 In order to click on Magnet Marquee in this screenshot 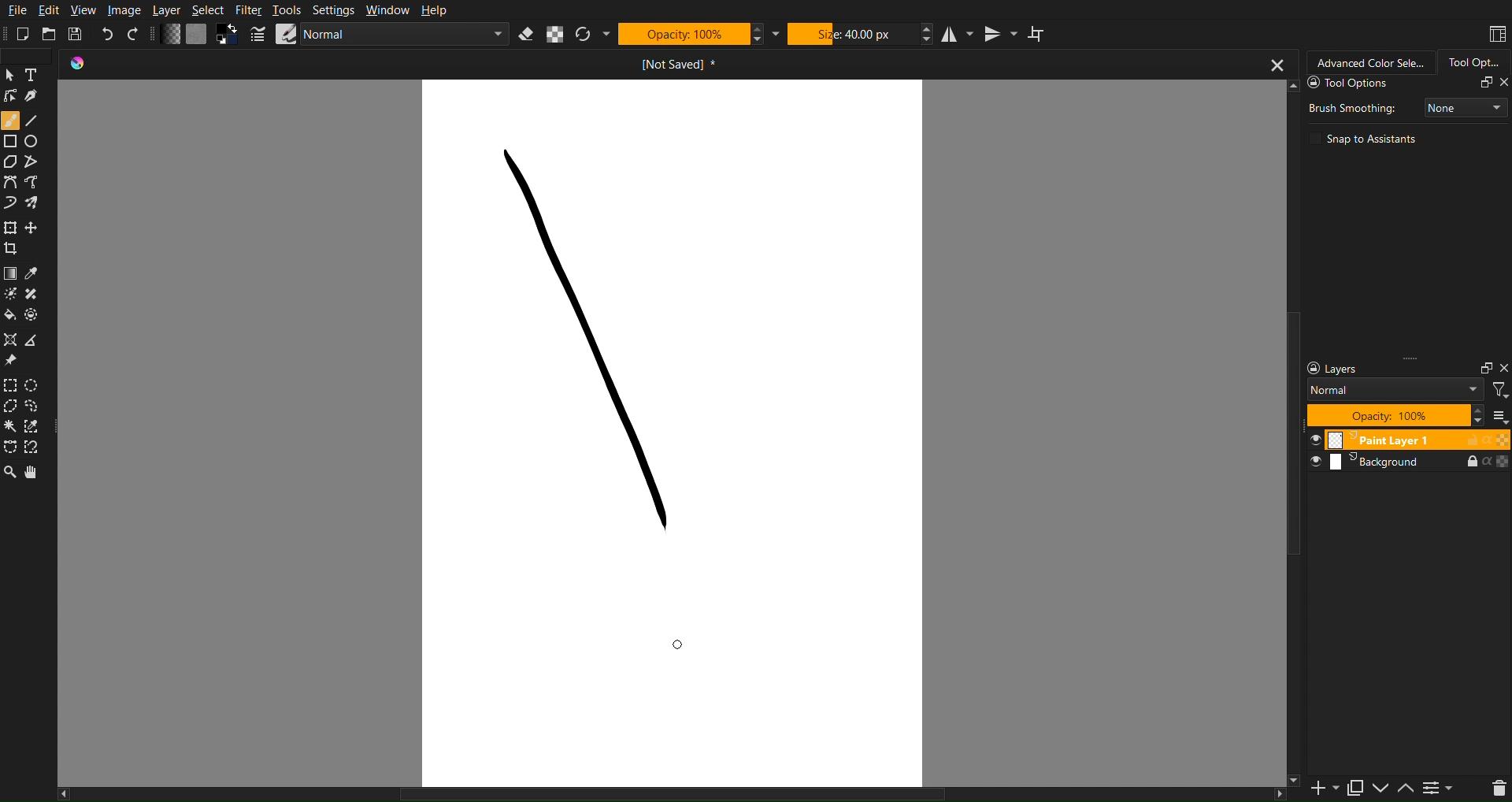, I will do `click(36, 448)`.